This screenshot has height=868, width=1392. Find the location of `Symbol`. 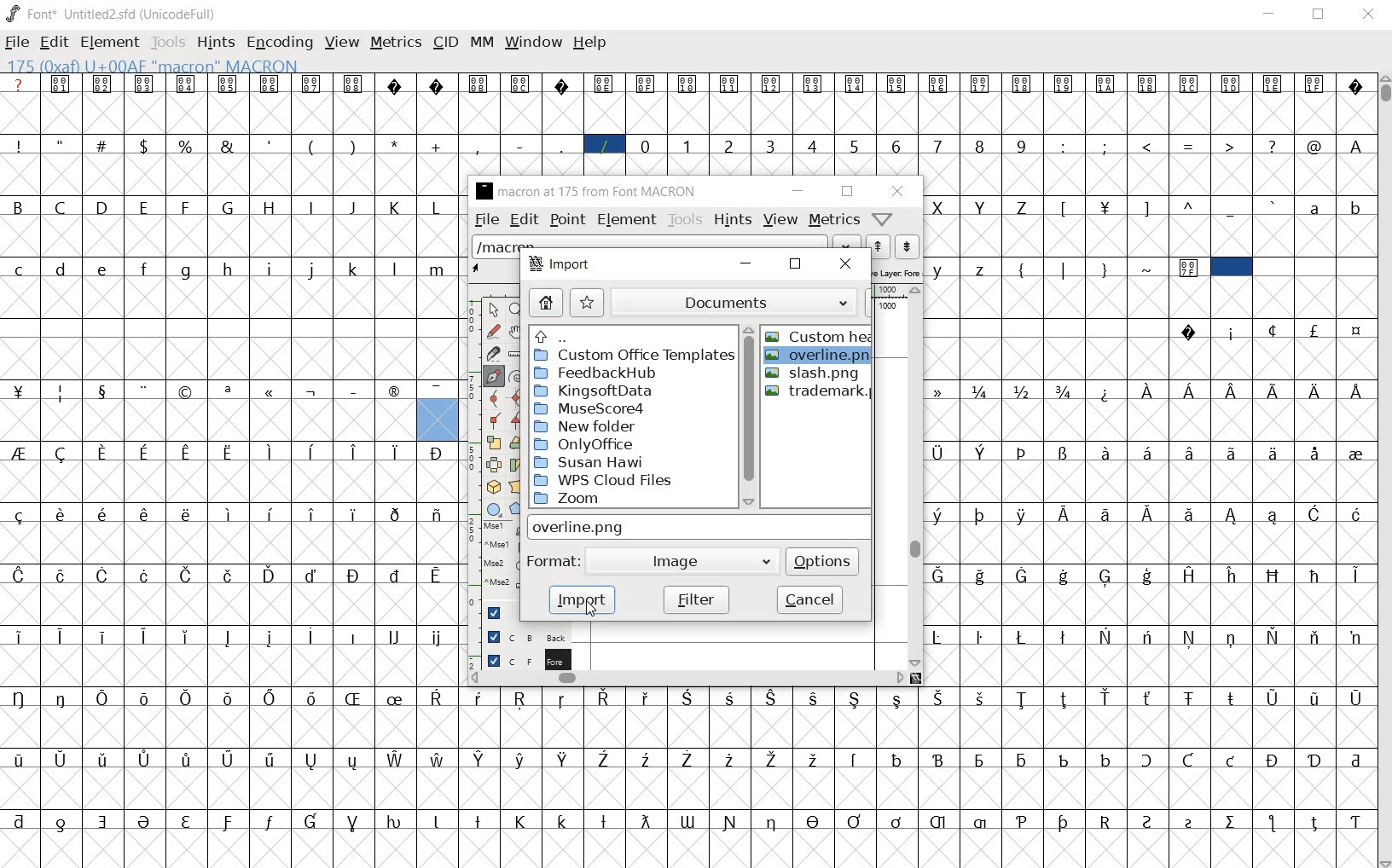

Symbol is located at coordinates (938, 515).